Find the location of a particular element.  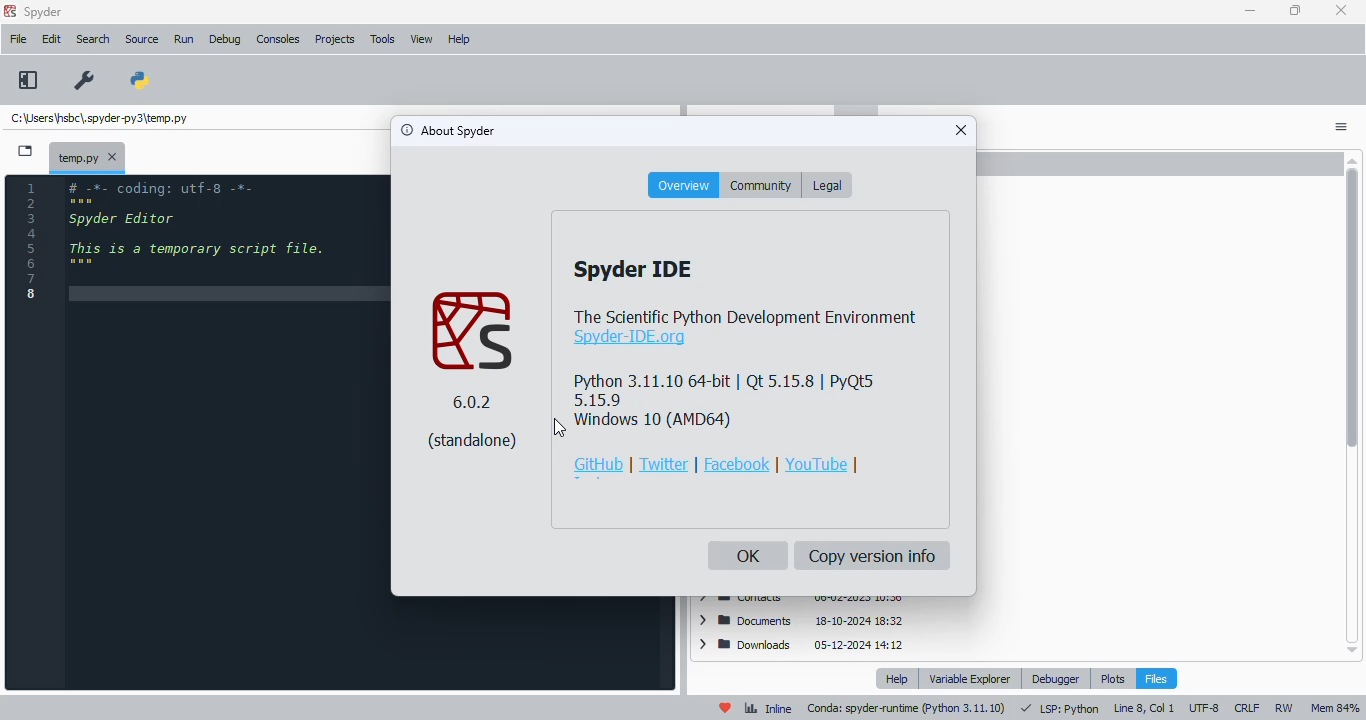

search is located at coordinates (93, 39).